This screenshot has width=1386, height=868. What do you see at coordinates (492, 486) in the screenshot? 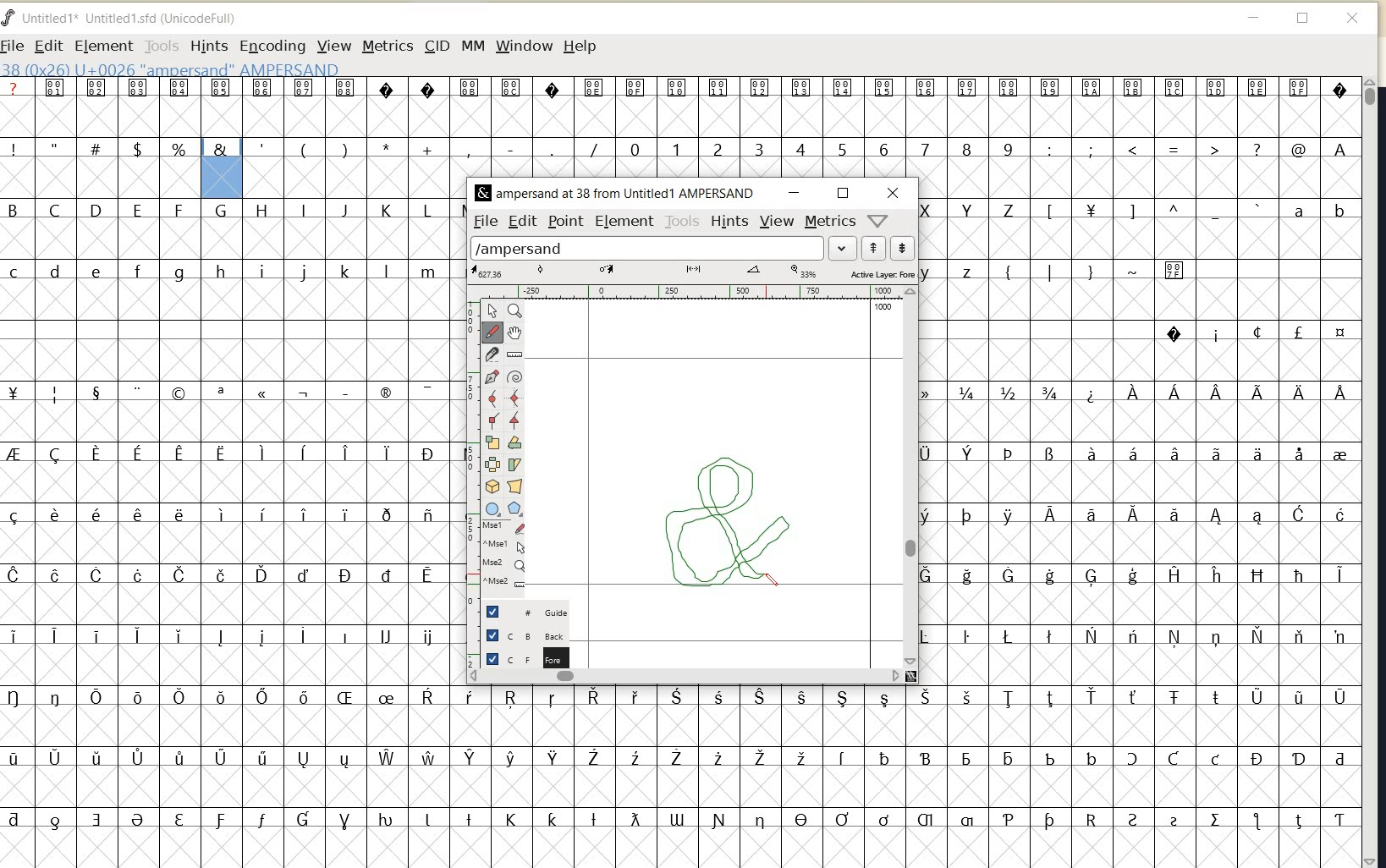
I see `rotate the selection in 3d and project back to plane` at bounding box center [492, 486].